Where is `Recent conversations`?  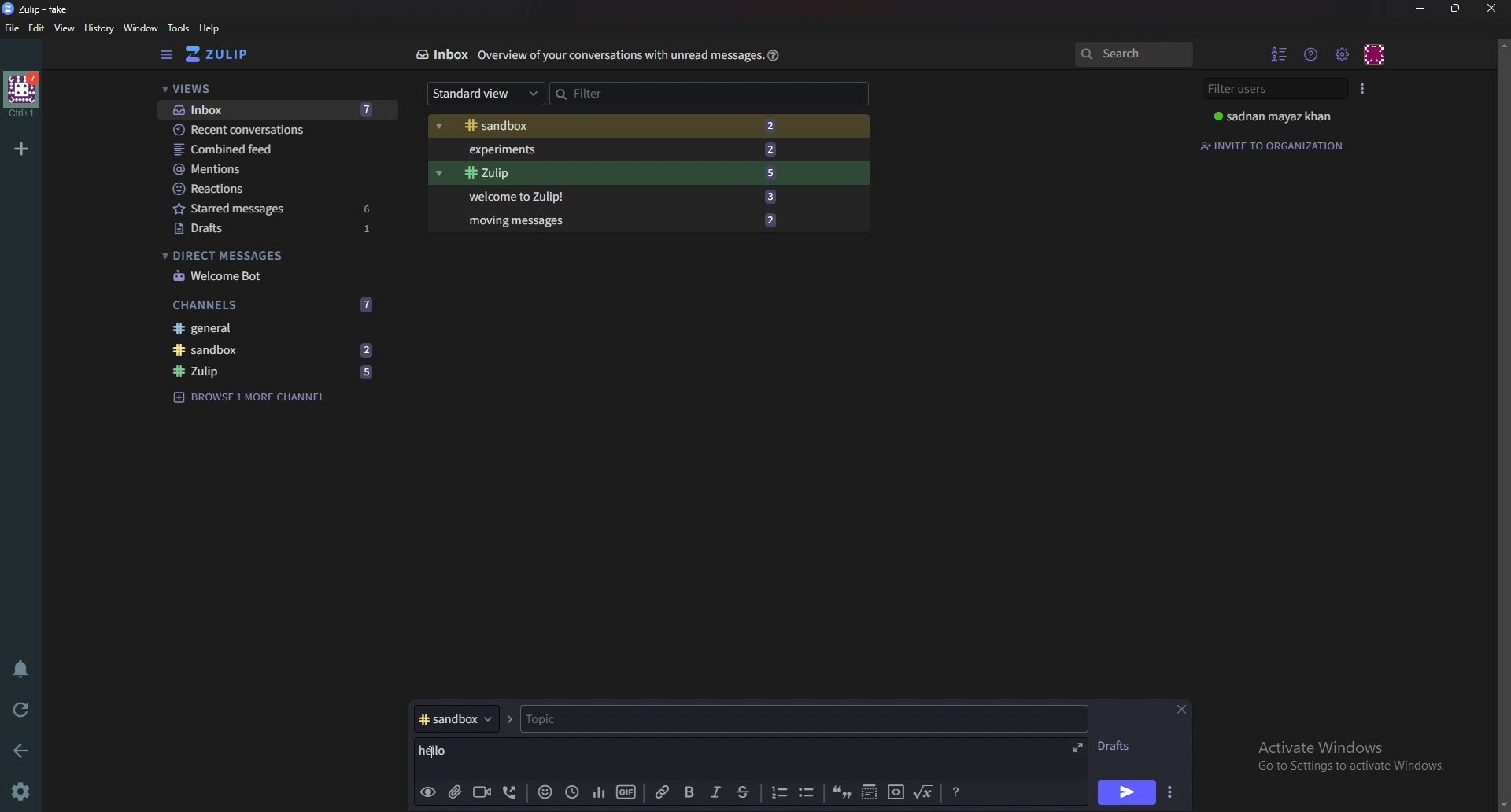
Recent conversations is located at coordinates (271, 128).